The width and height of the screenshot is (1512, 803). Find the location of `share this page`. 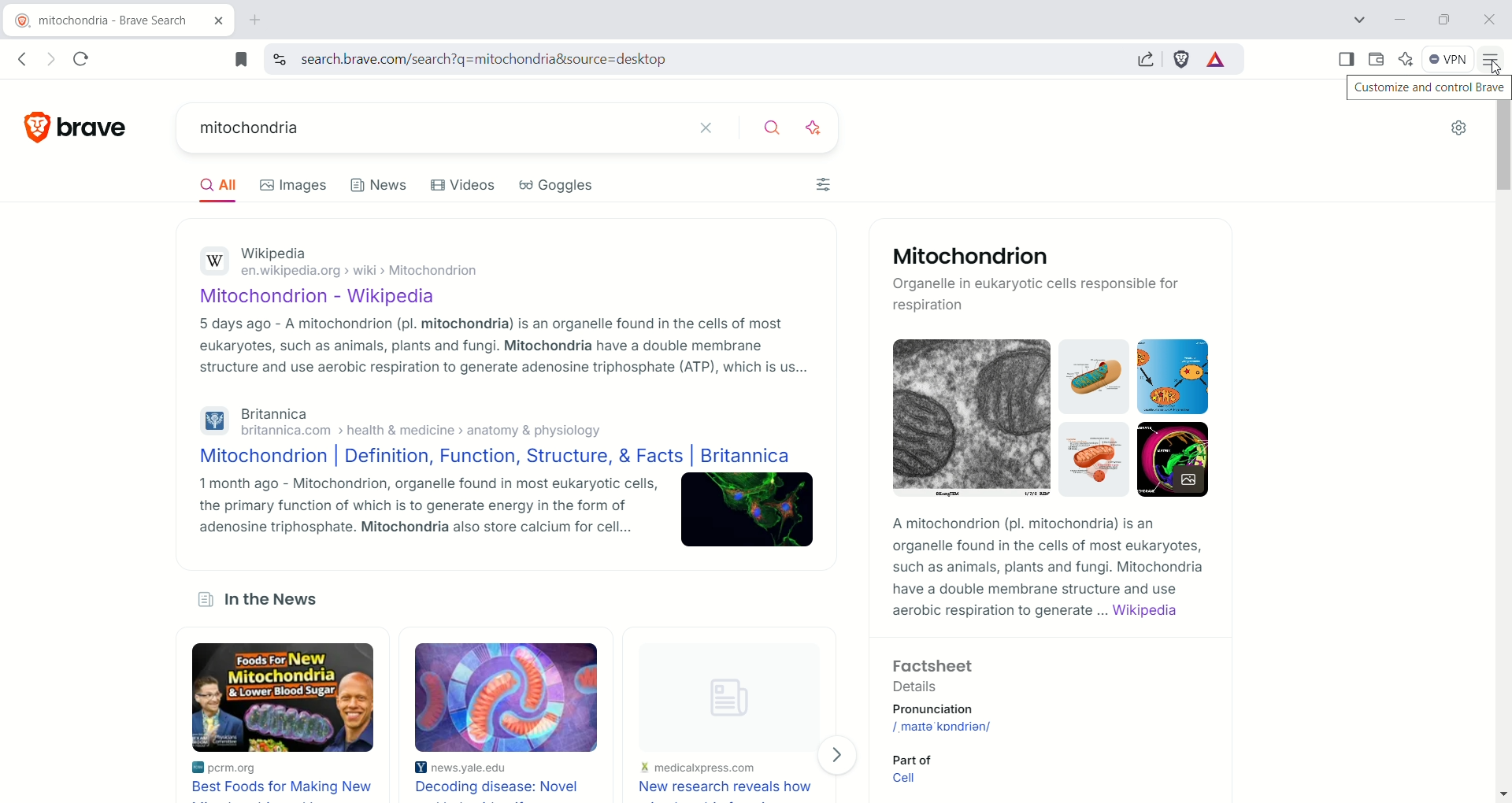

share this page is located at coordinates (1144, 58).